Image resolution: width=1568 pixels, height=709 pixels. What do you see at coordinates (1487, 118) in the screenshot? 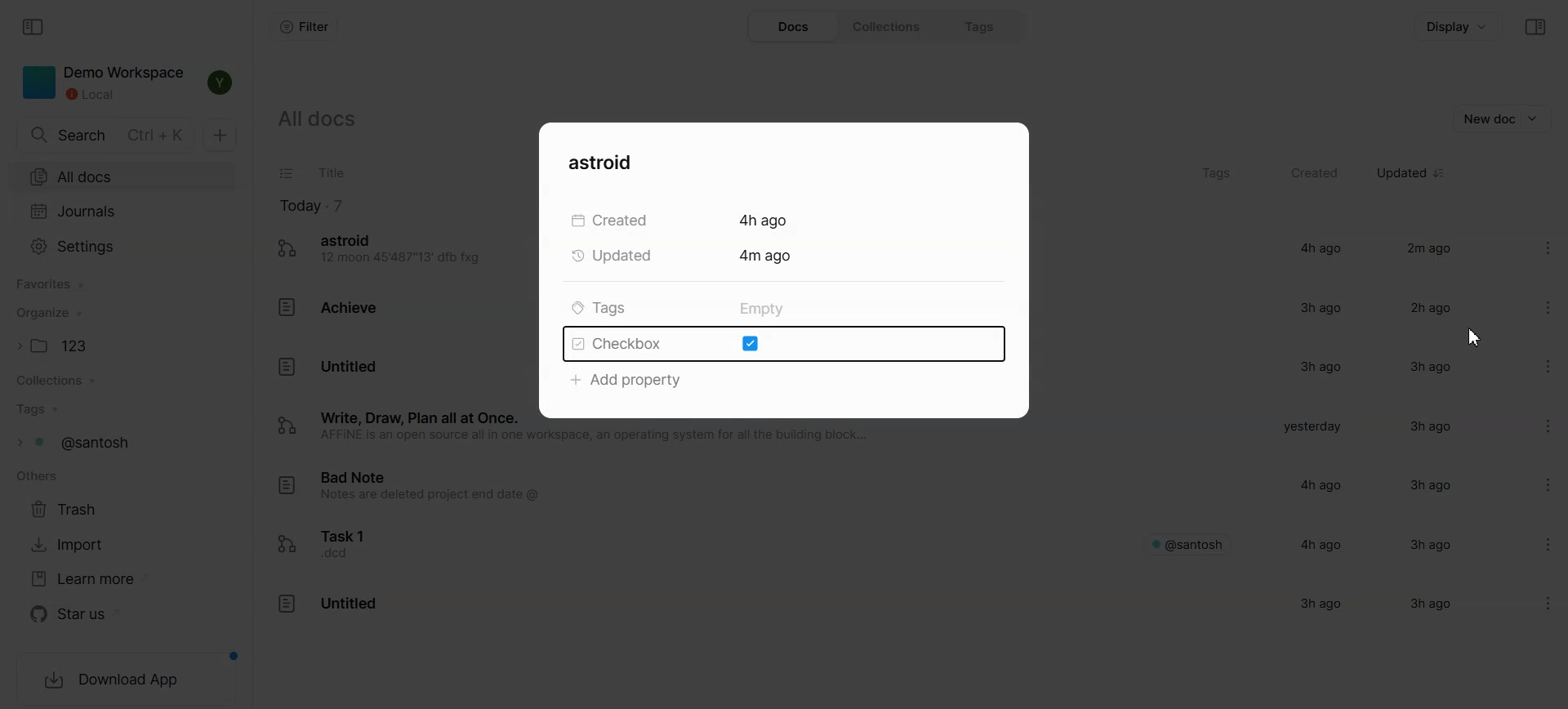
I see `New doc` at bounding box center [1487, 118].